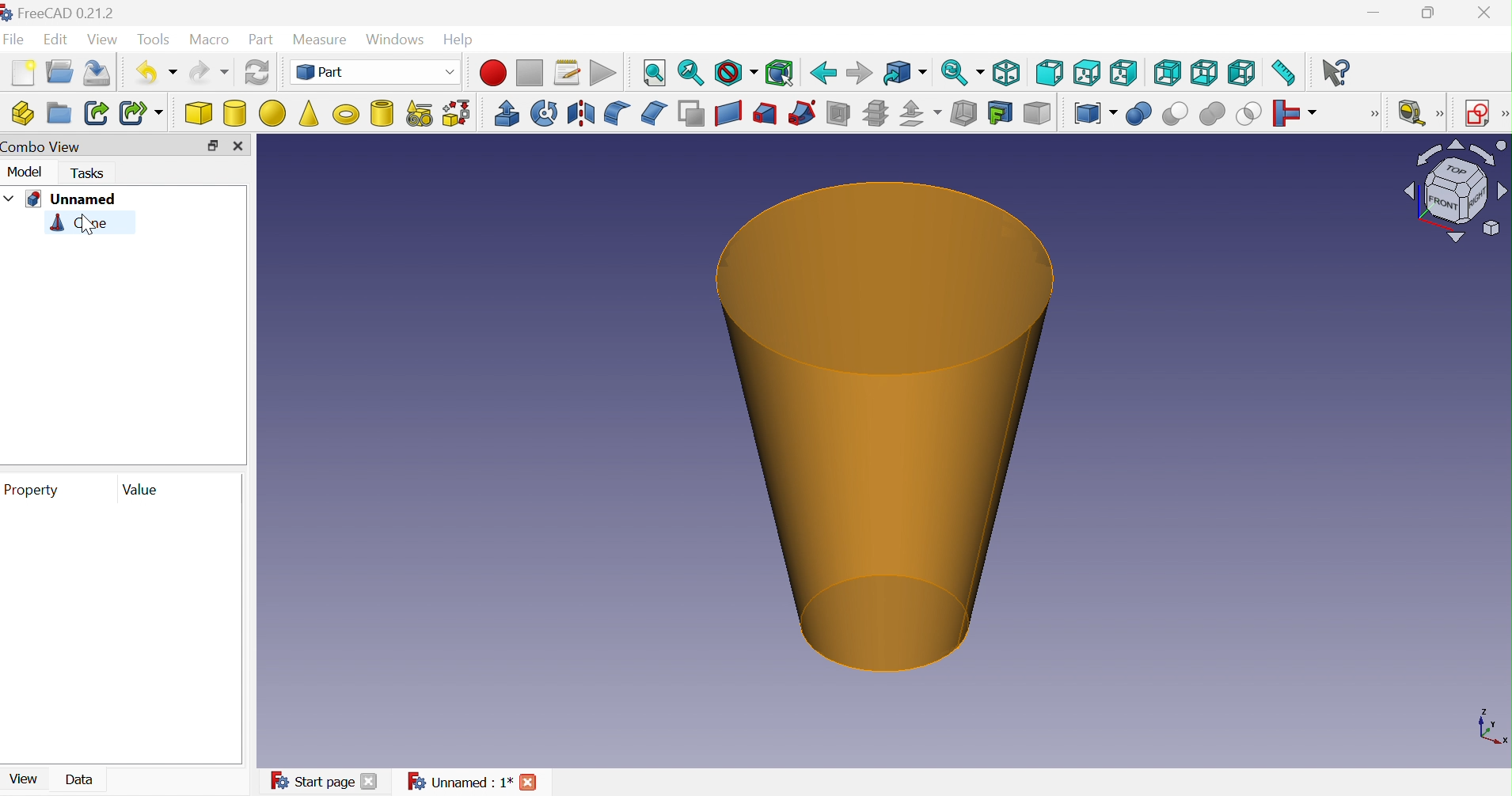 This screenshot has width=1512, height=796. Describe the element at coordinates (917, 115) in the screenshot. I see `Offset:` at that location.